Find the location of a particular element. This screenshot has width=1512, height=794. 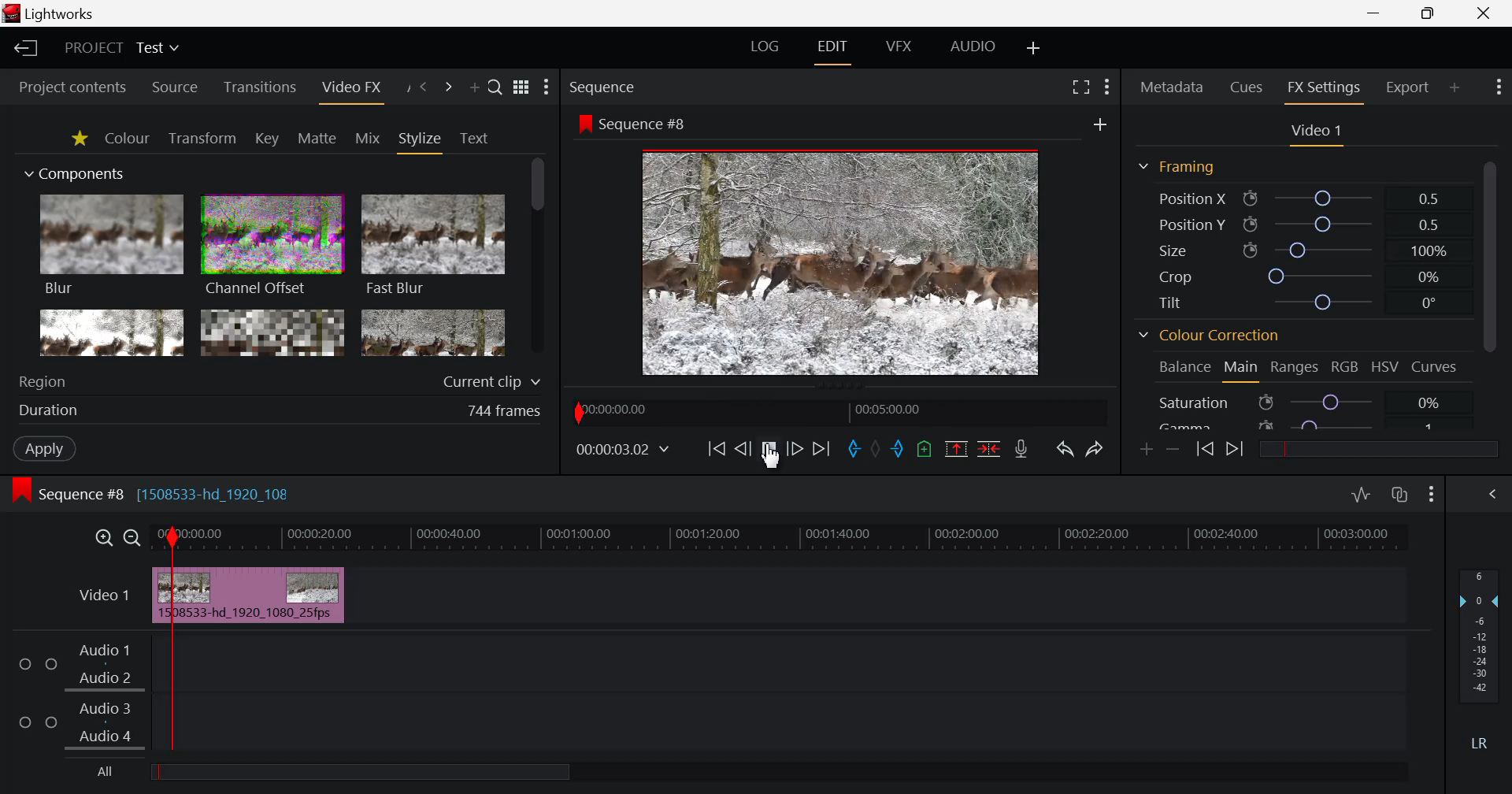

Previous Panel is located at coordinates (424, 87).